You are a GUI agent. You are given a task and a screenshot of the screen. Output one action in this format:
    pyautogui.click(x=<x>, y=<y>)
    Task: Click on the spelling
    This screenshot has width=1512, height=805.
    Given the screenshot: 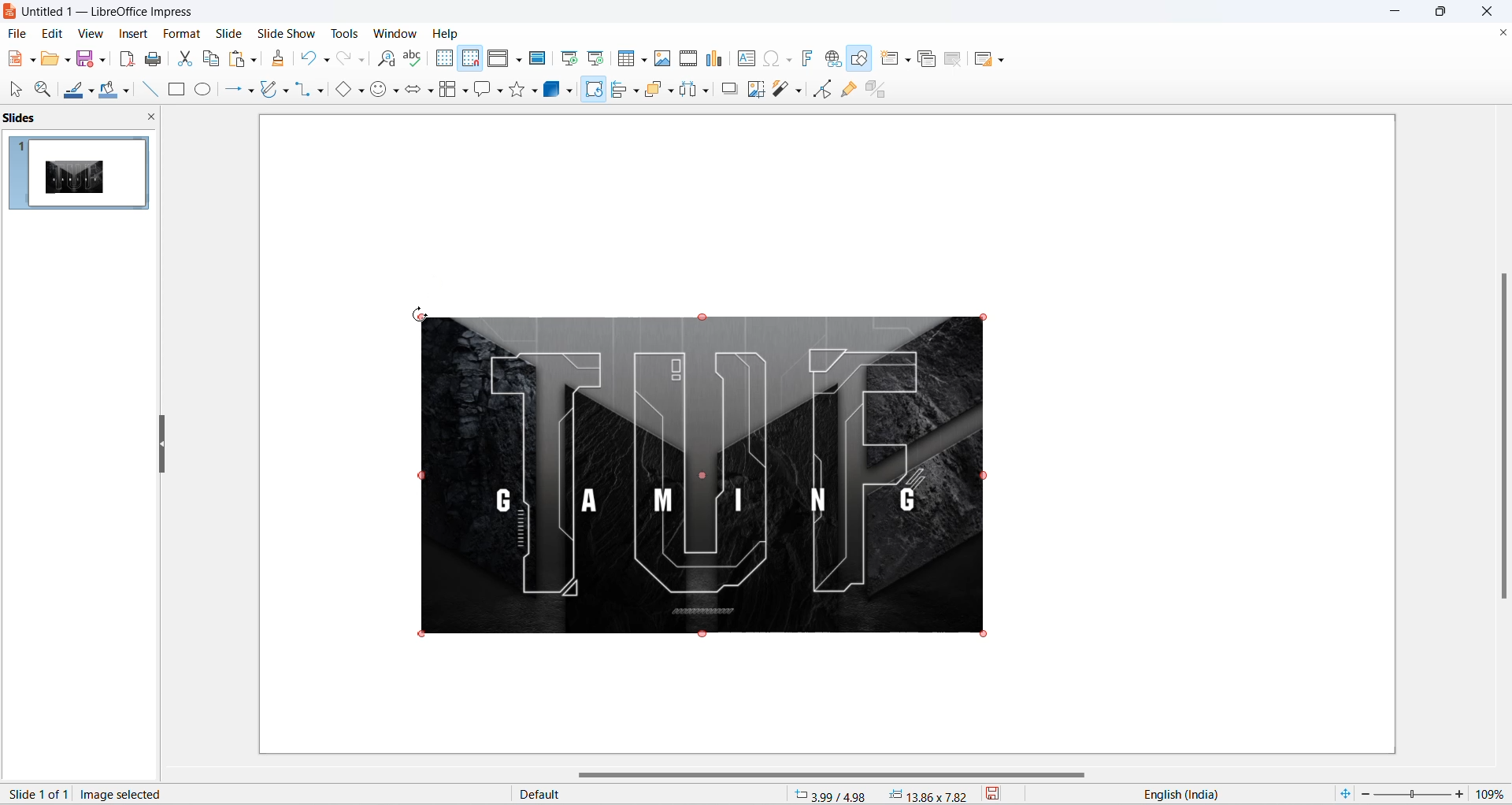 What is the action you would take?
    pyautogui.click(x=413, y=59)
    